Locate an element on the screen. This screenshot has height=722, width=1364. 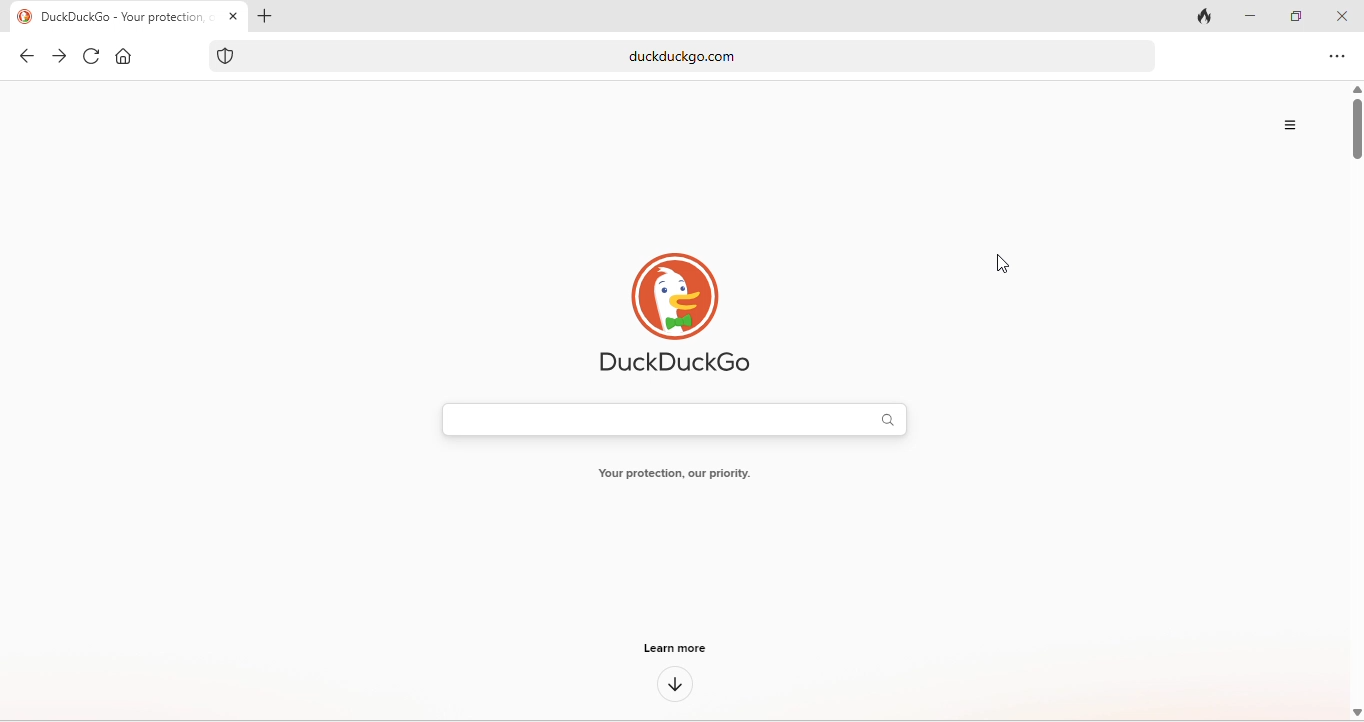
Your protection, our priority is located at coordinates (680, 471).